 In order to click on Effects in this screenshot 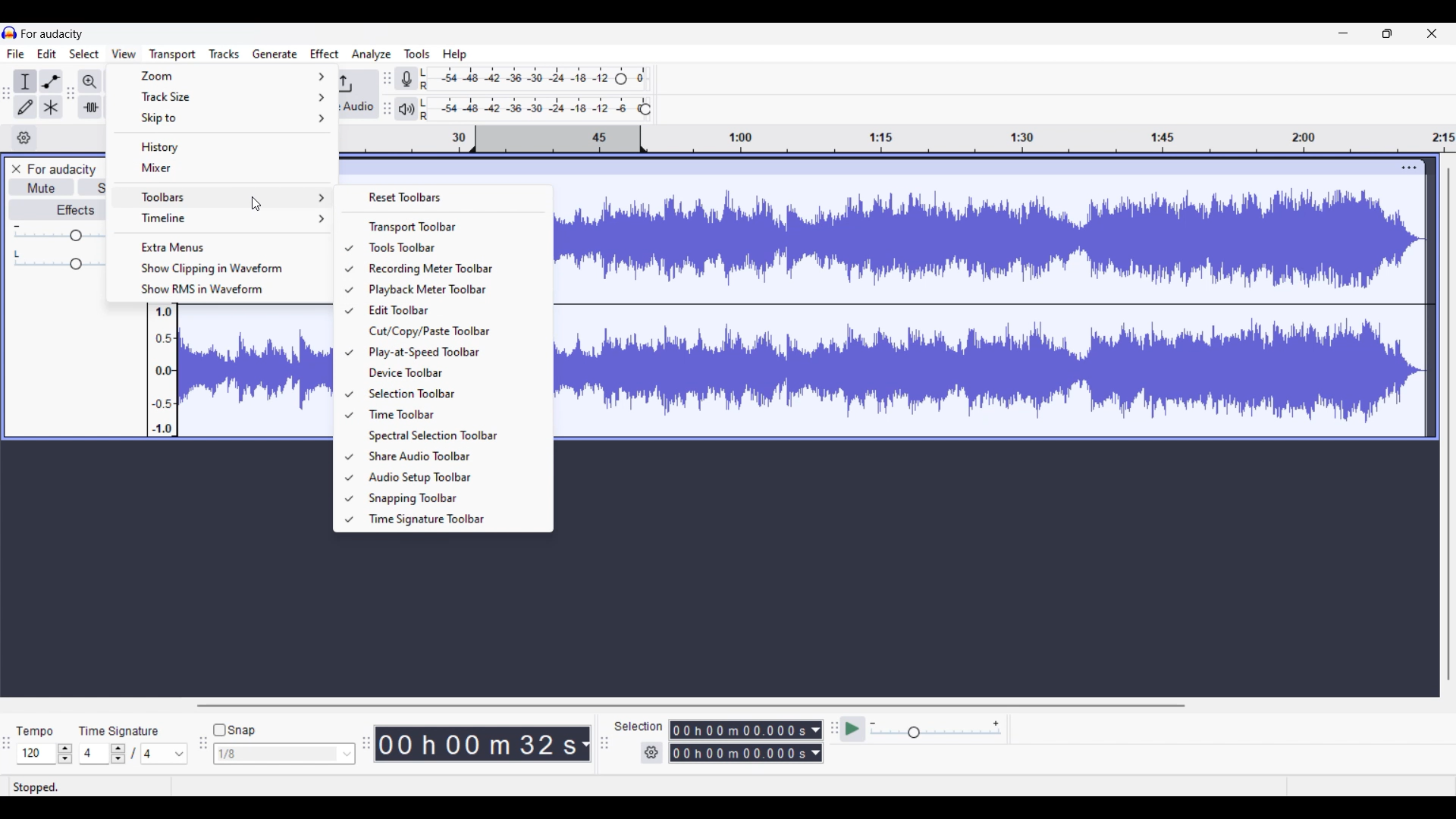, I will do `click(58, 209)`.